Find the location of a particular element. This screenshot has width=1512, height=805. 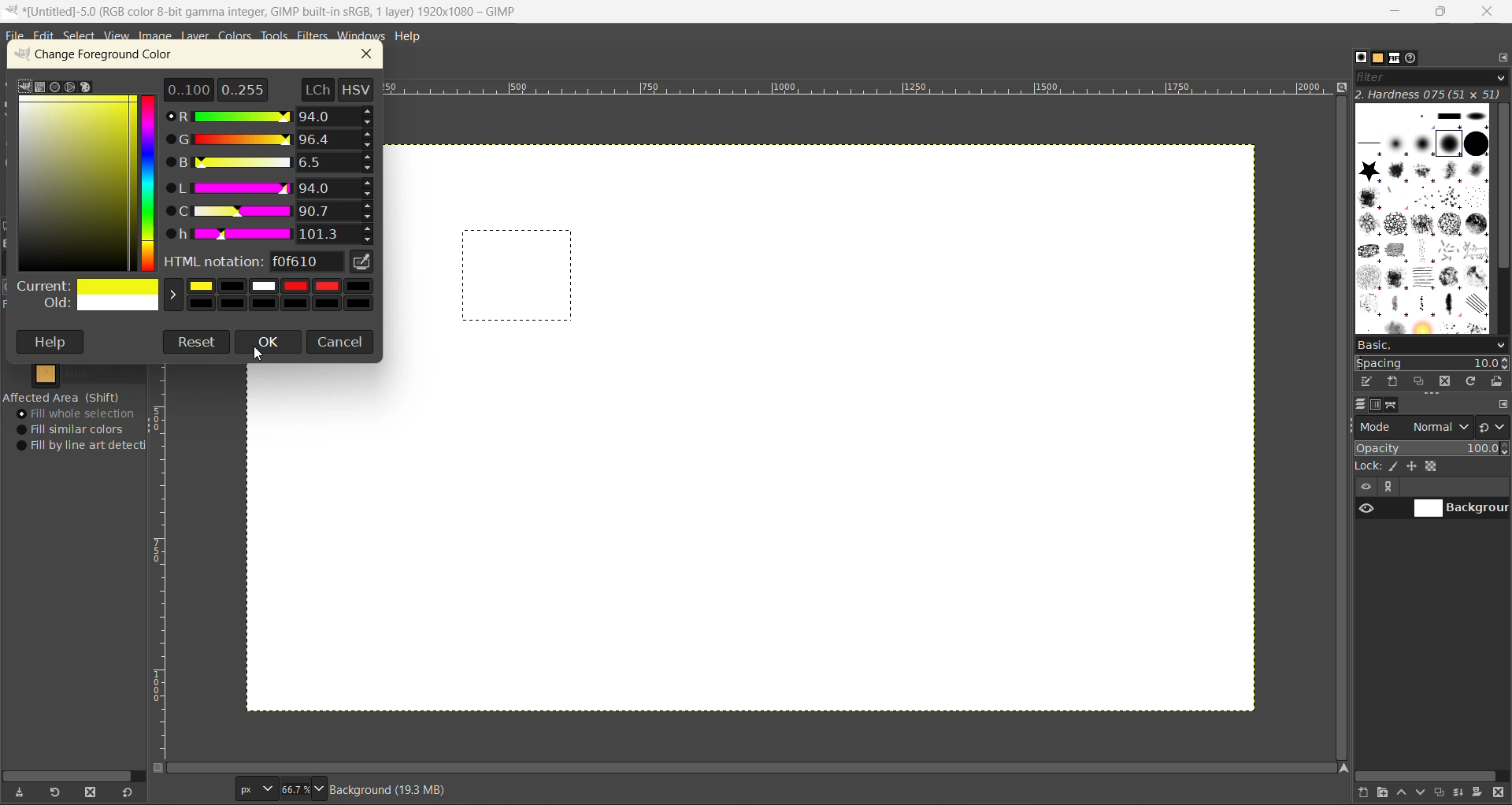

color scales is located at coordinates (273, 176).